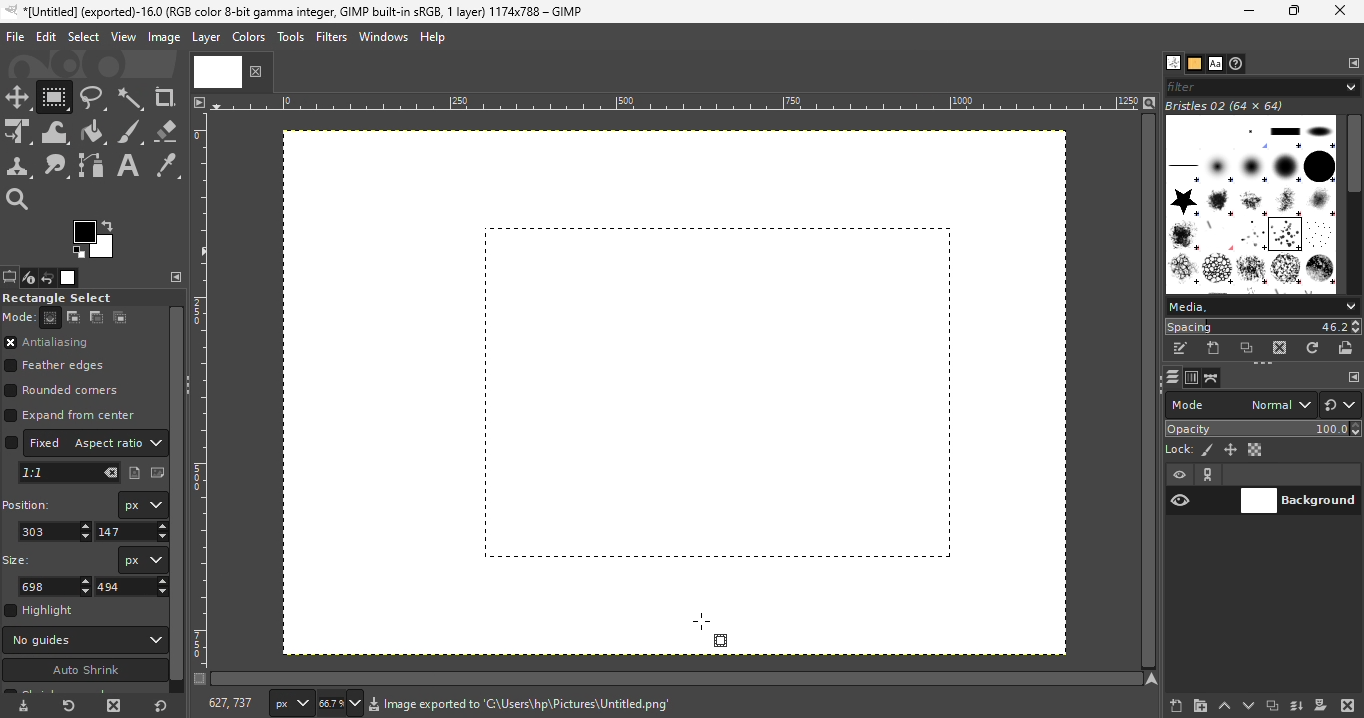  Describe the element at coordinates (95, 98) in the screenshot. I see `Free select tool` at that location.